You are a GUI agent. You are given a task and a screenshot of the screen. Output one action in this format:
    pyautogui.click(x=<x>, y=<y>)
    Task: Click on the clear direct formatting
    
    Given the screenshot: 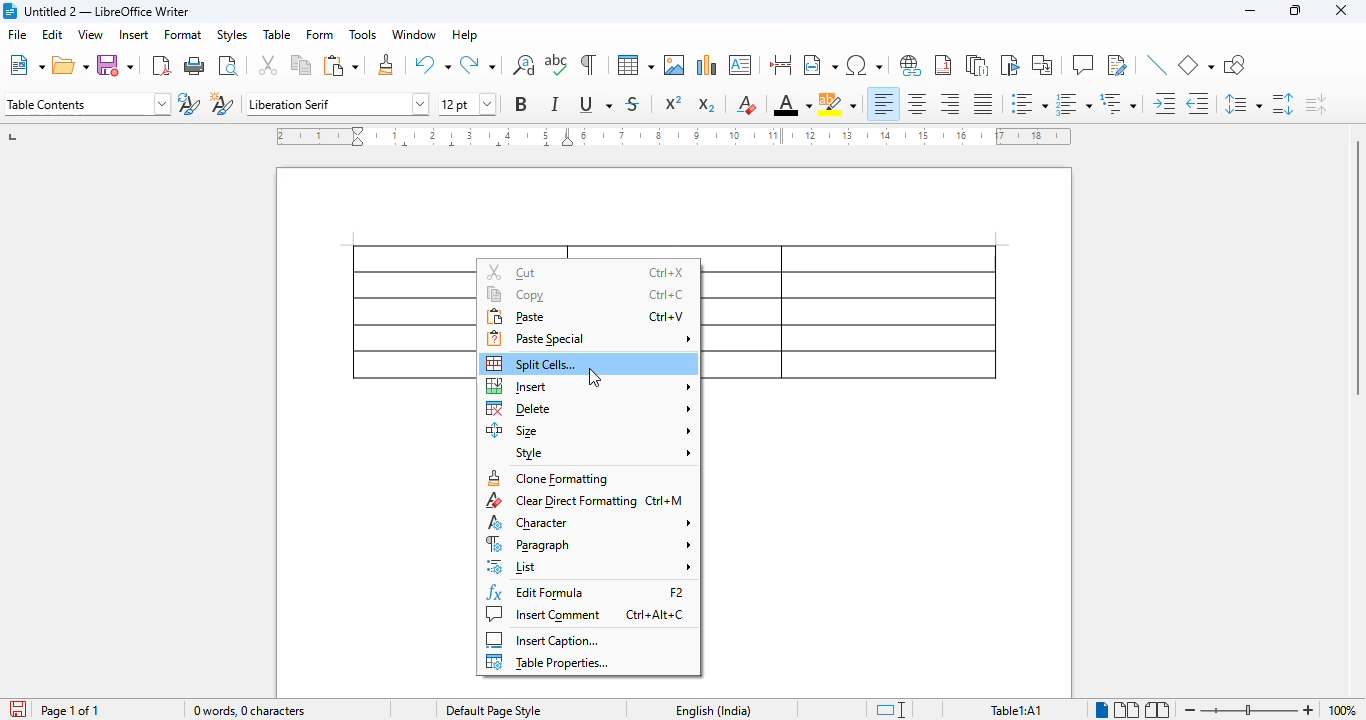 What is the action you would take?
    pyautogui.click(x=747, y=104)
    